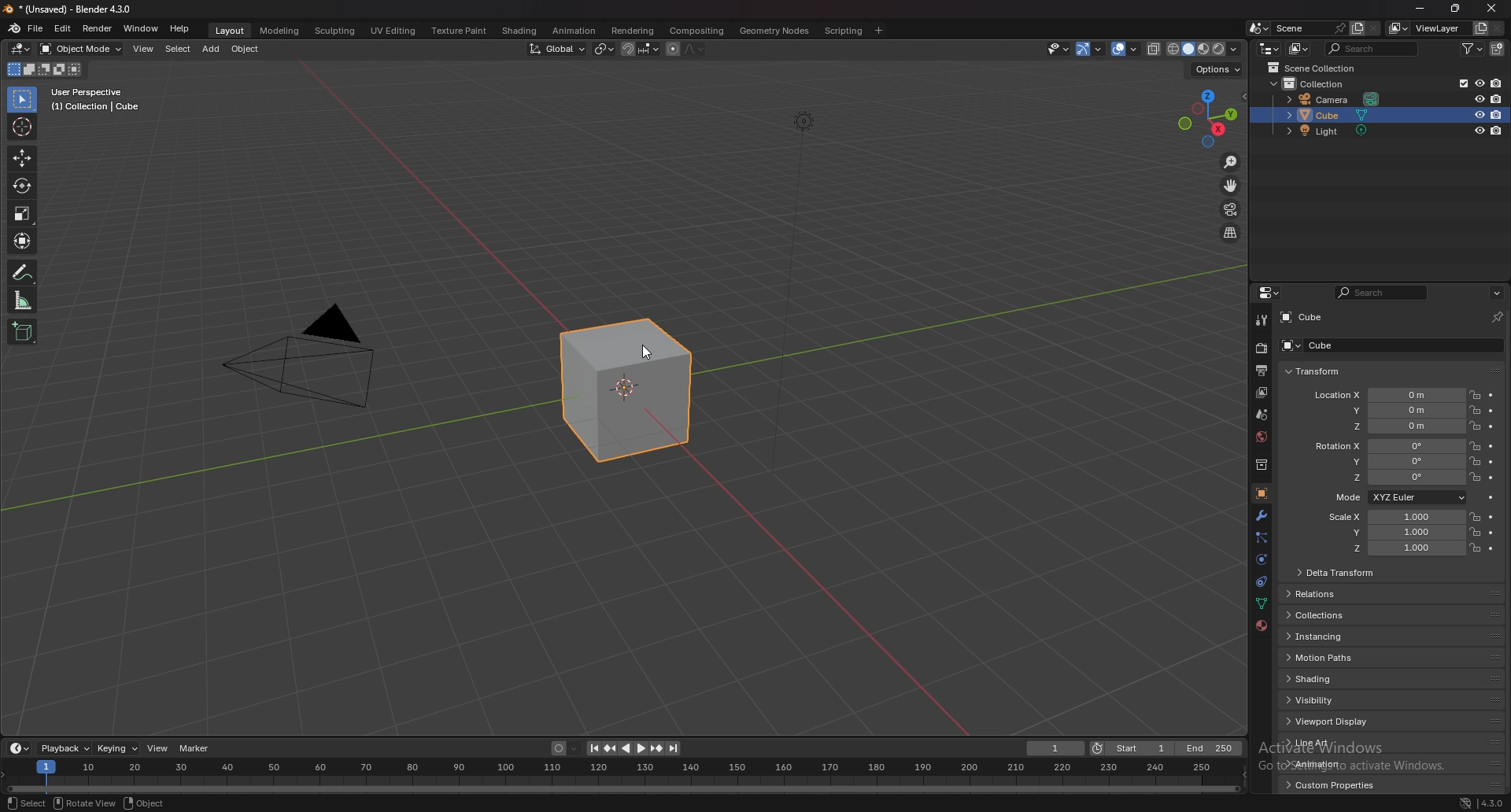  Describe the element at coordinates (657, 748) in the screenshot. I see `jump to keyframe` at that location.